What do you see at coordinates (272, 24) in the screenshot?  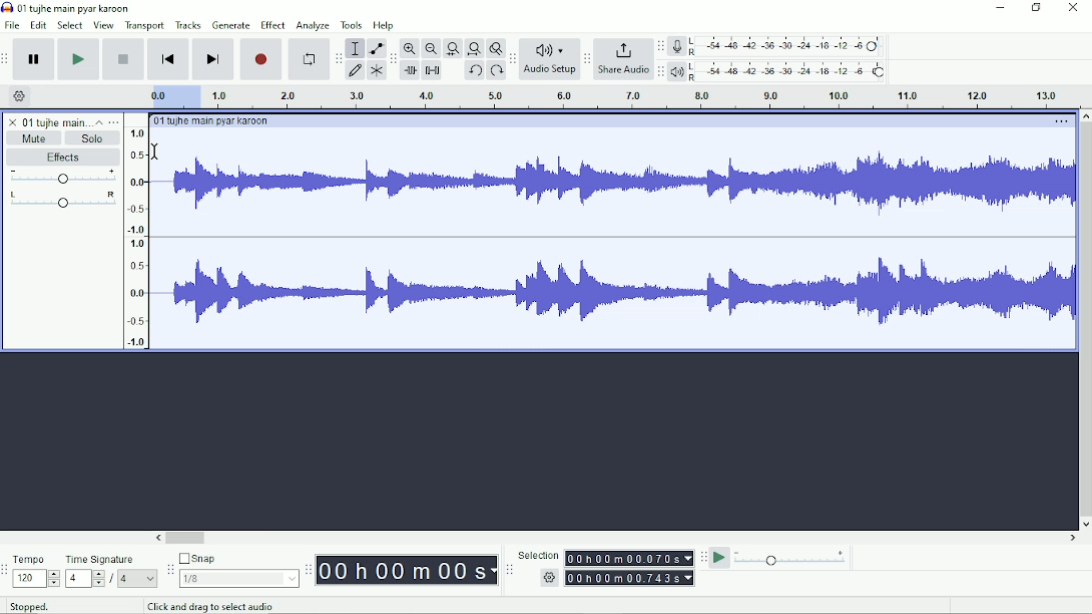 I see `Effect` at bounding box center [272, 24].